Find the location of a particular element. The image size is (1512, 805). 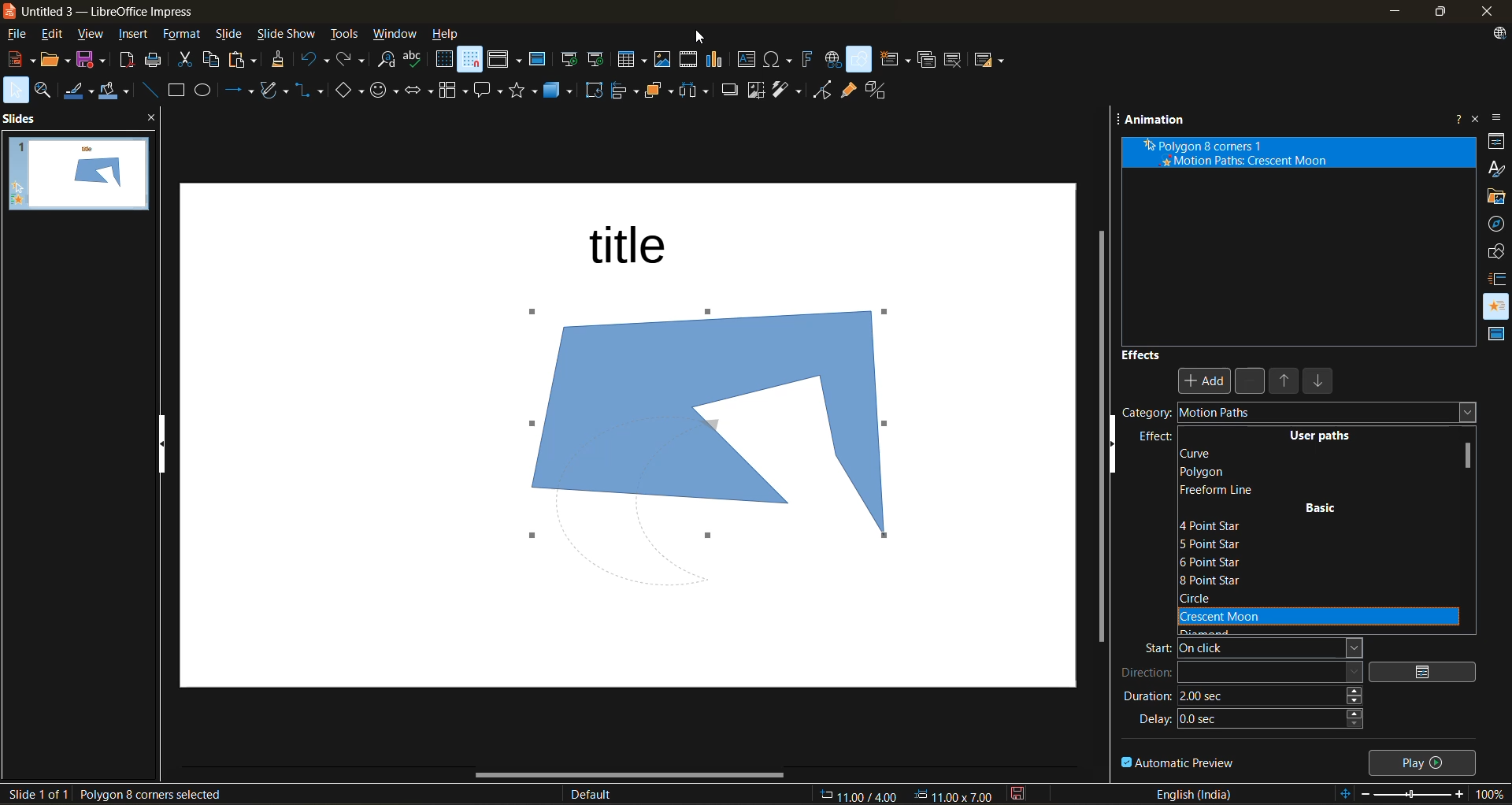

basic is located at coordinates (1321, 510).